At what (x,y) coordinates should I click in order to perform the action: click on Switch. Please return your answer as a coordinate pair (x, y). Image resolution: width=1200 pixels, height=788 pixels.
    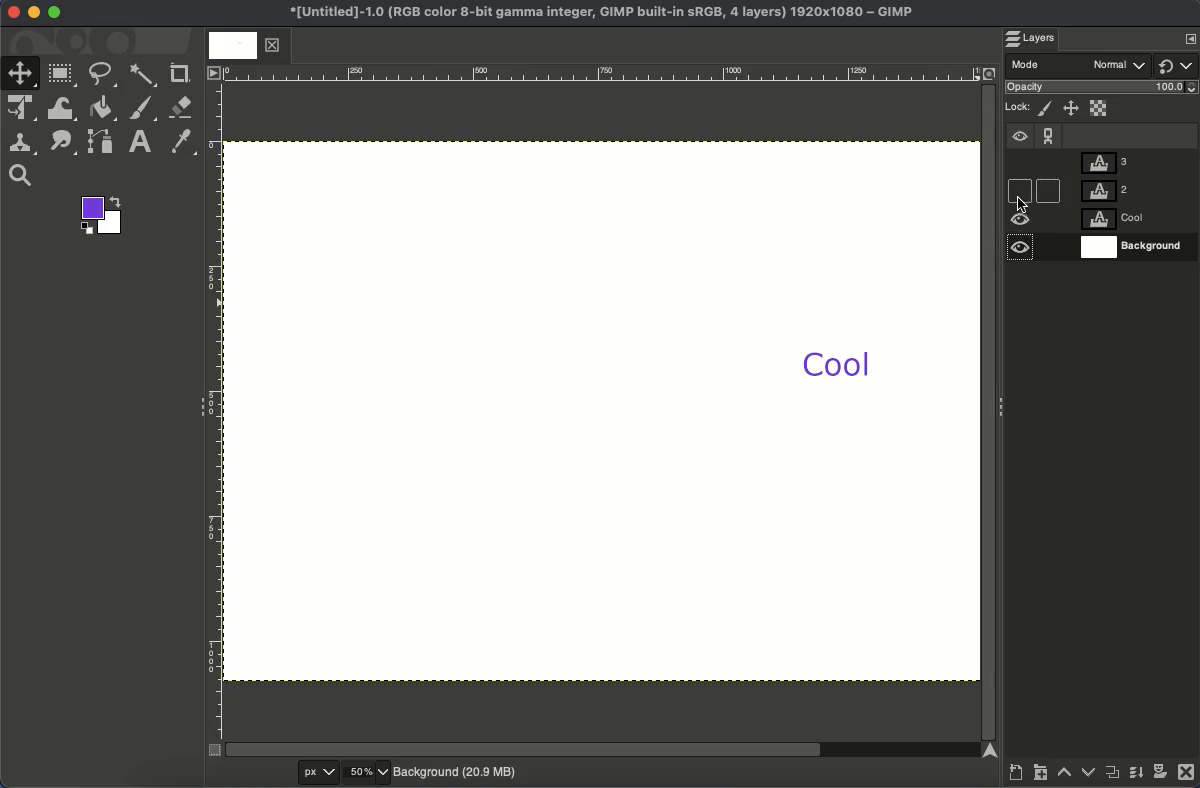
    Looking at the image, I should click on (1177, 65).